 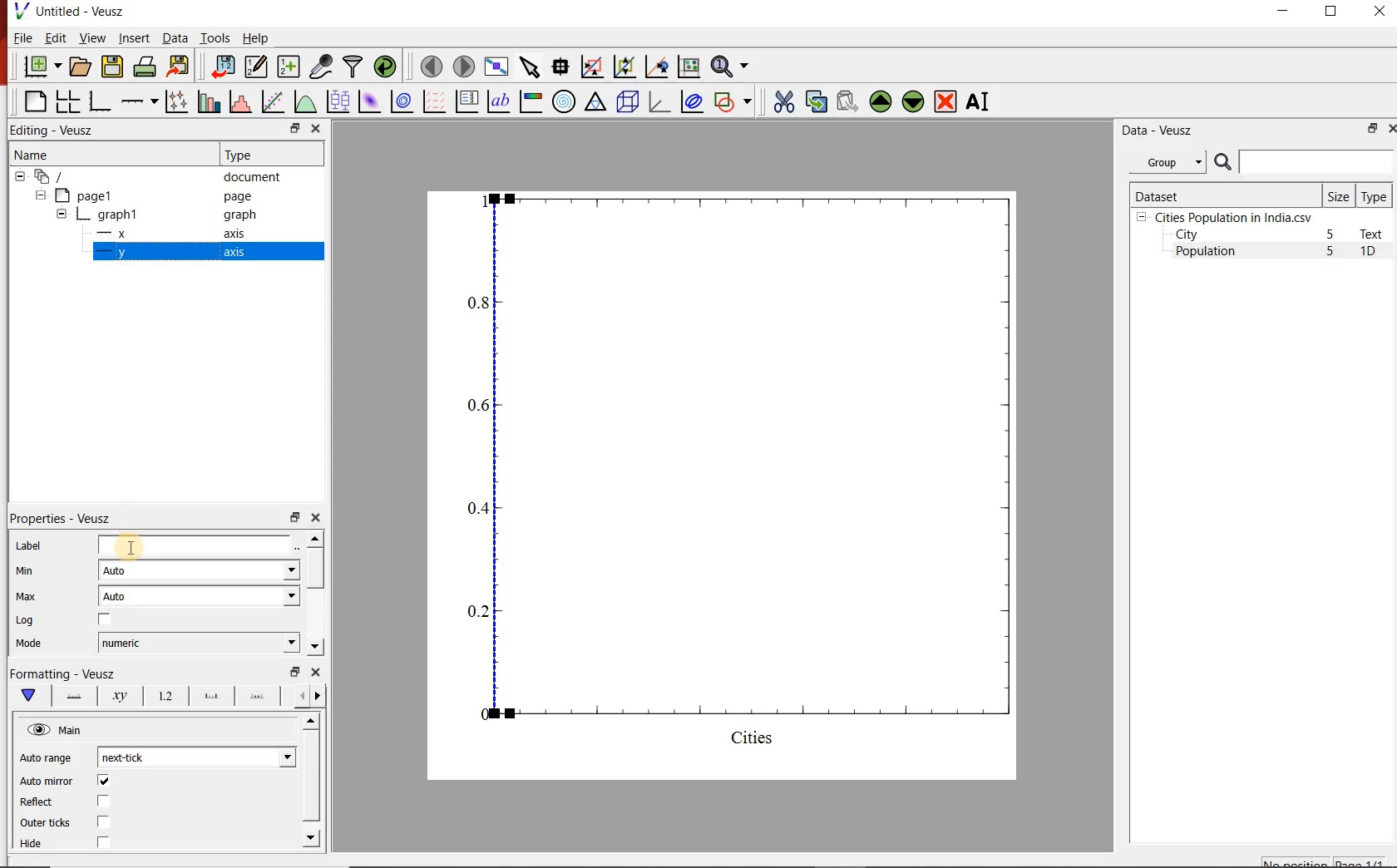 I want to click on remove the selected widgets, so click(x=947, y=101).